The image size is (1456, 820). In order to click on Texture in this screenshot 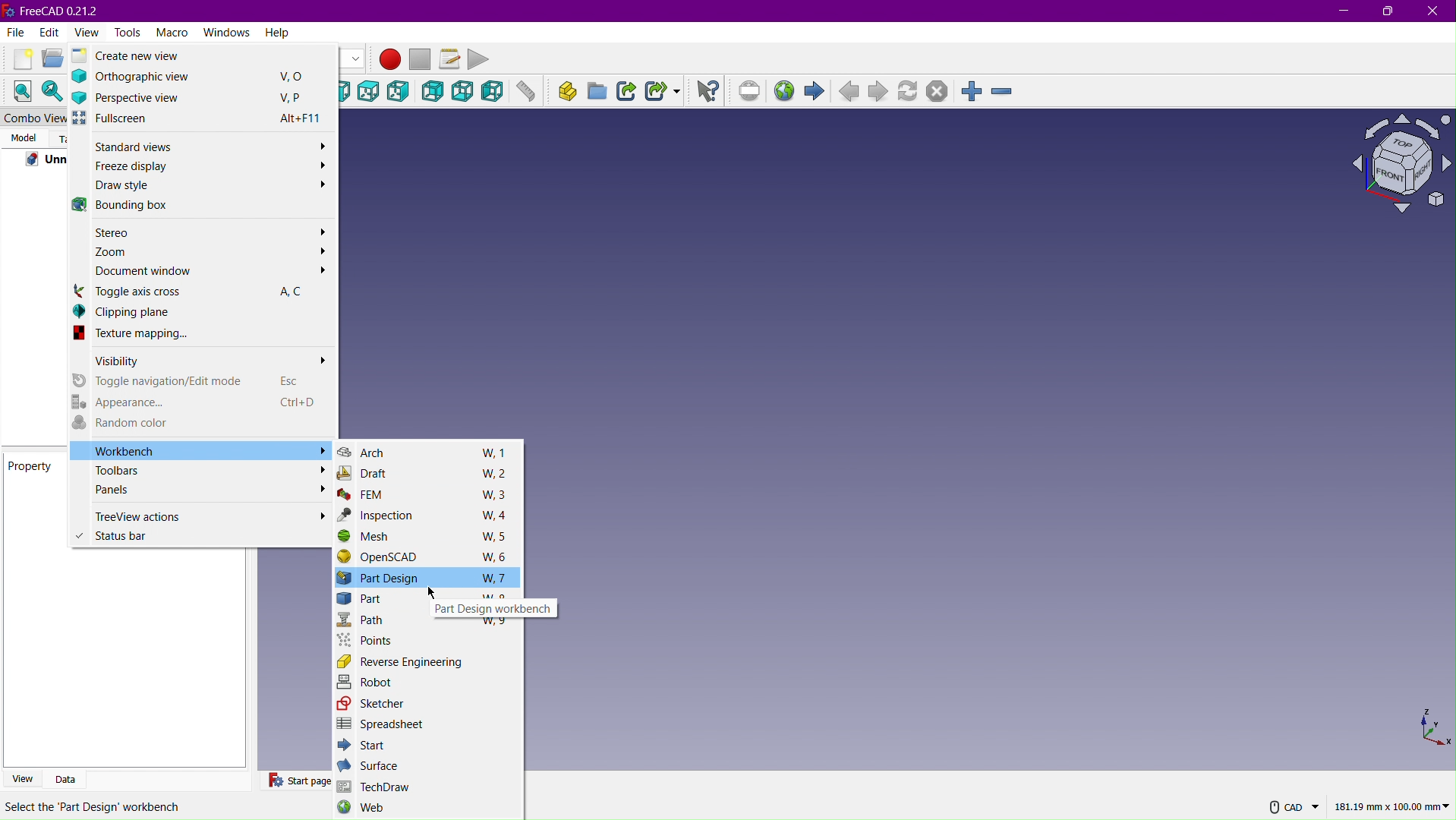, I will do `click(135, 334)`.